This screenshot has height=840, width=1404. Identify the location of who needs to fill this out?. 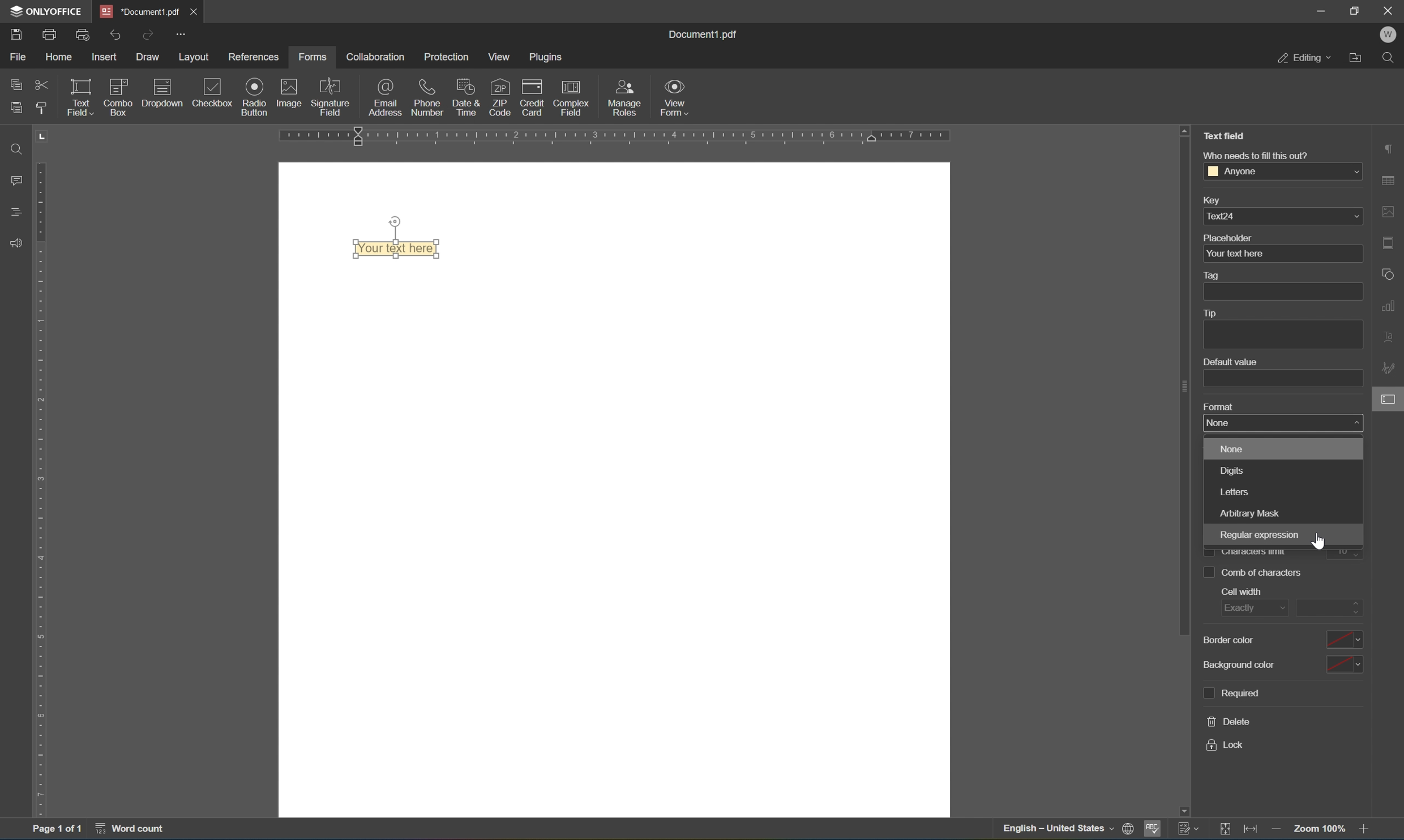
(1255, 155).